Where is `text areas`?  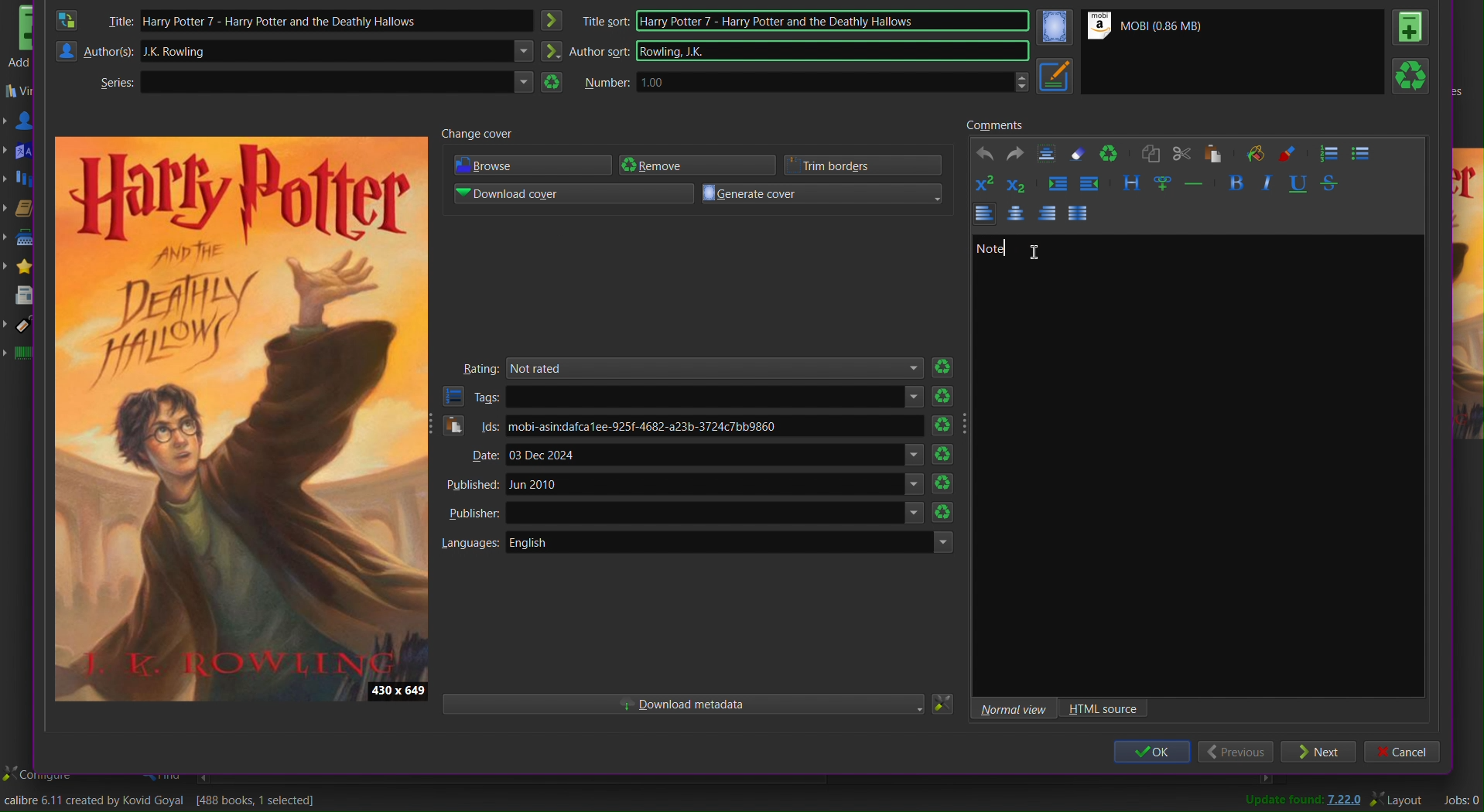
text areas is located at coordinates (716, 397).